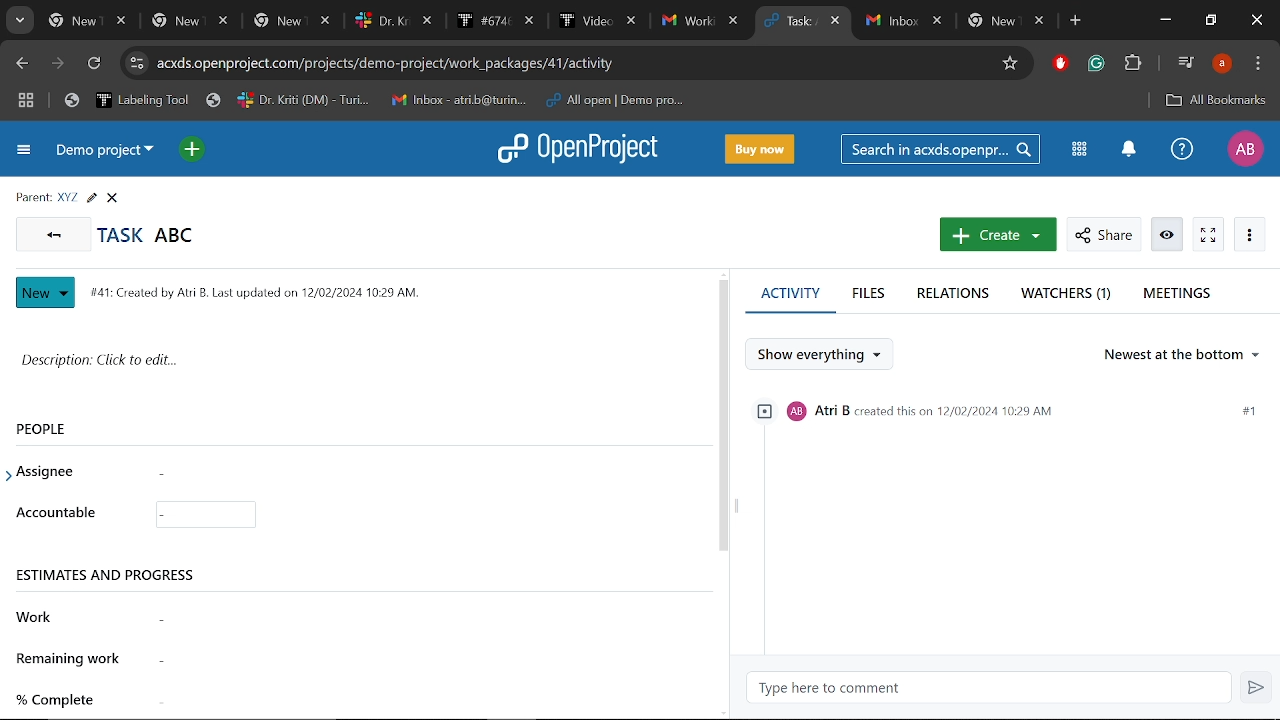 The height and width of the screenshot is (720, 1280). Describe the element at coordinates (52, 472) in the screenshot. I see `Assignee` at that location.